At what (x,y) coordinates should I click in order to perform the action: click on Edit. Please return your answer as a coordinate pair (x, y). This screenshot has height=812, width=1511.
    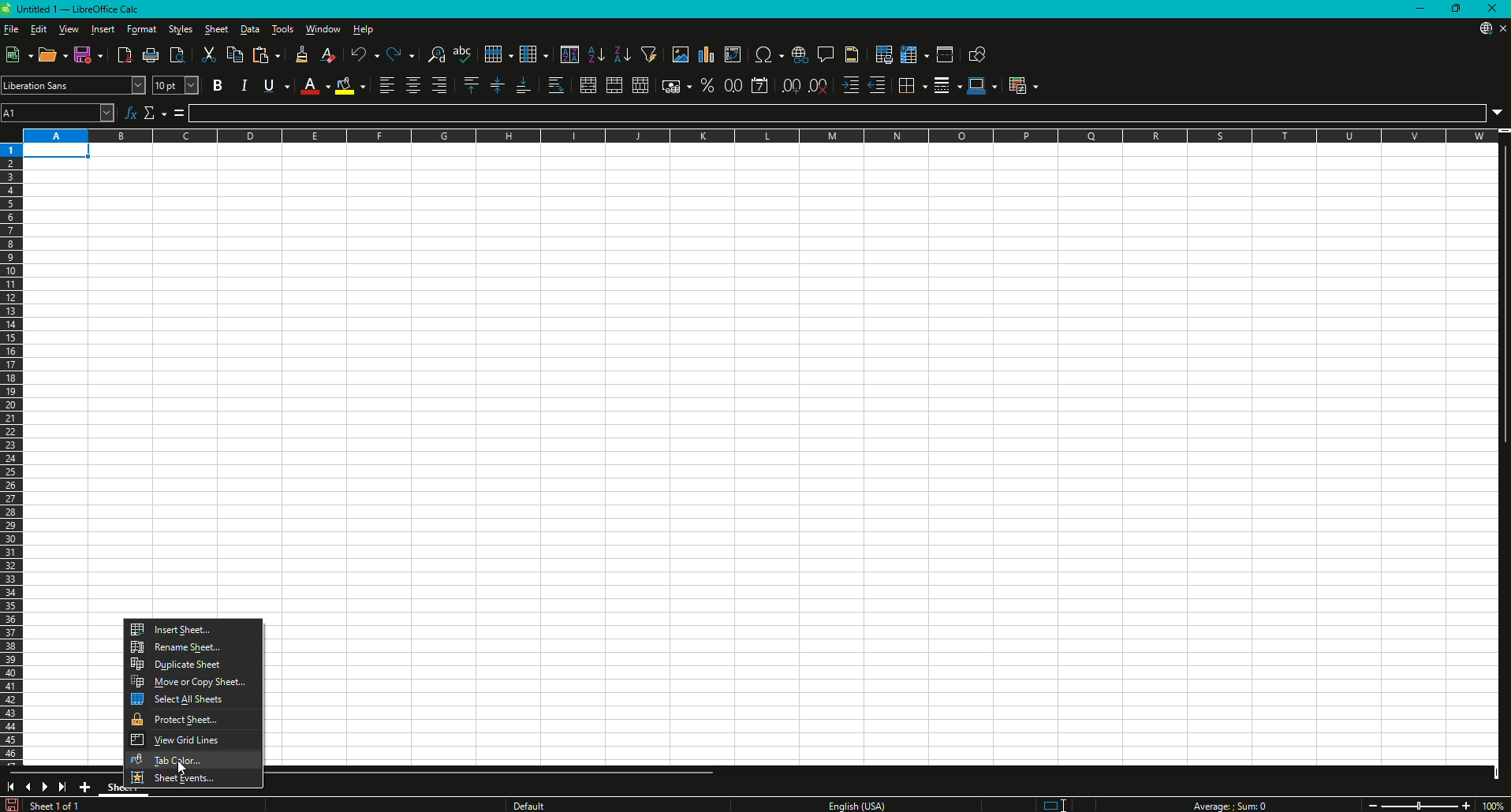
    Looking at the image, I should click on (38, 28).